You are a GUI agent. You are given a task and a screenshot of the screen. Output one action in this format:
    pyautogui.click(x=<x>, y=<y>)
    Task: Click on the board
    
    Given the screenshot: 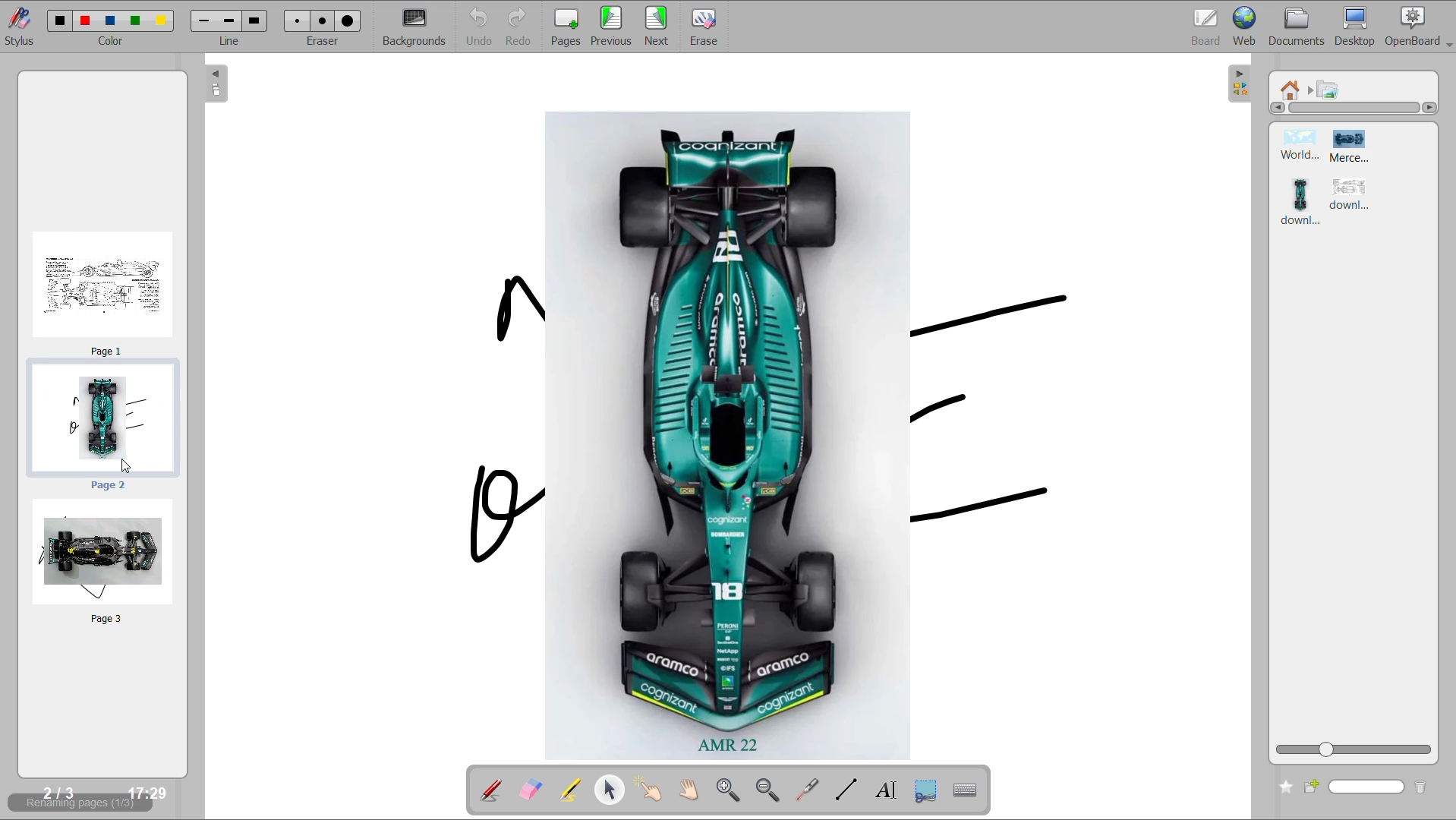 What is the action you would take?
    pyautogui.click(x=1207, y=24)
    